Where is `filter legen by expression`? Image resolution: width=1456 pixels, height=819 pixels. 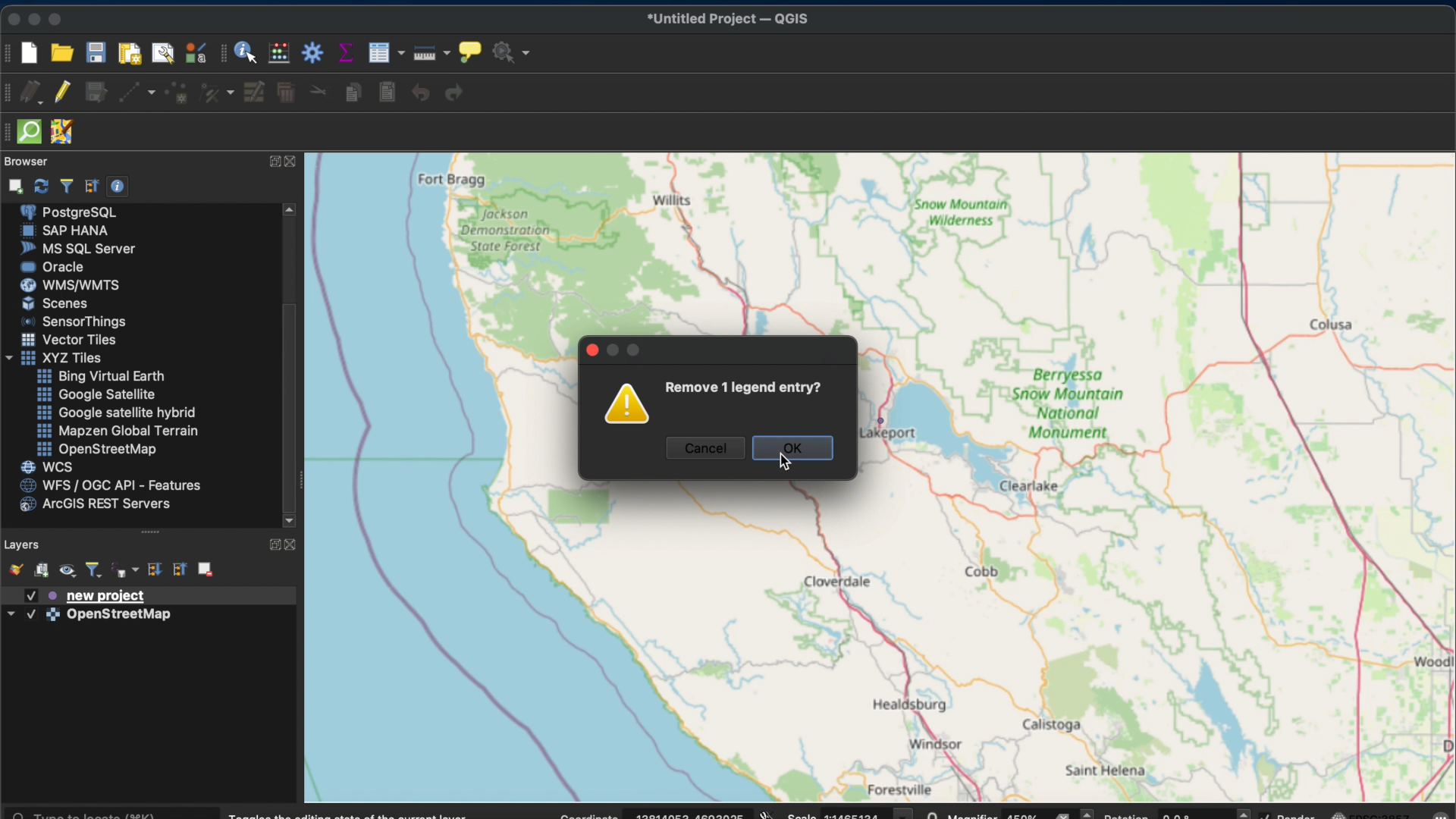 filter legen by expression is located at coordinates (126, 570).